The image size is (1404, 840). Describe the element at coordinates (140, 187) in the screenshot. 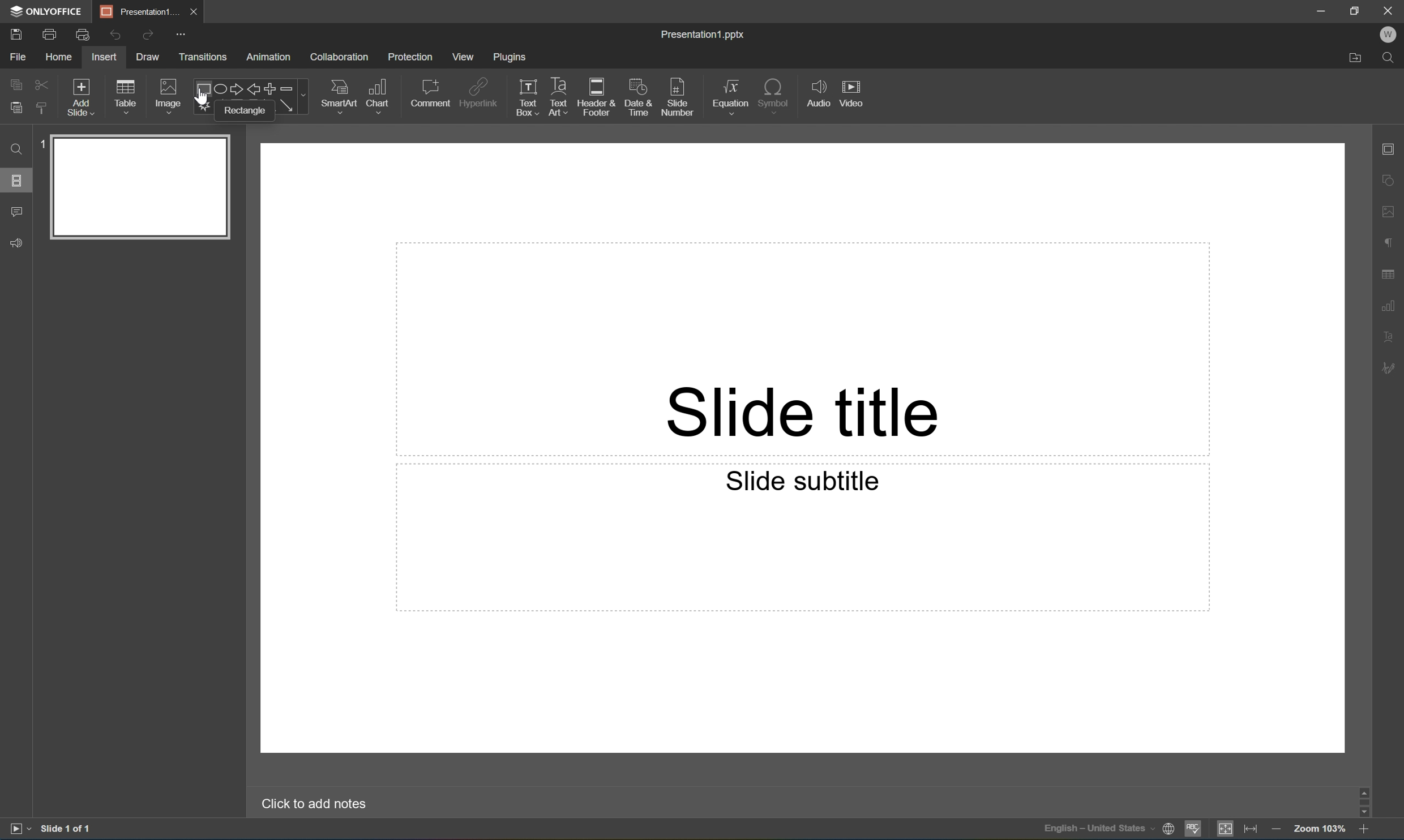

I see `Slide` at that location.